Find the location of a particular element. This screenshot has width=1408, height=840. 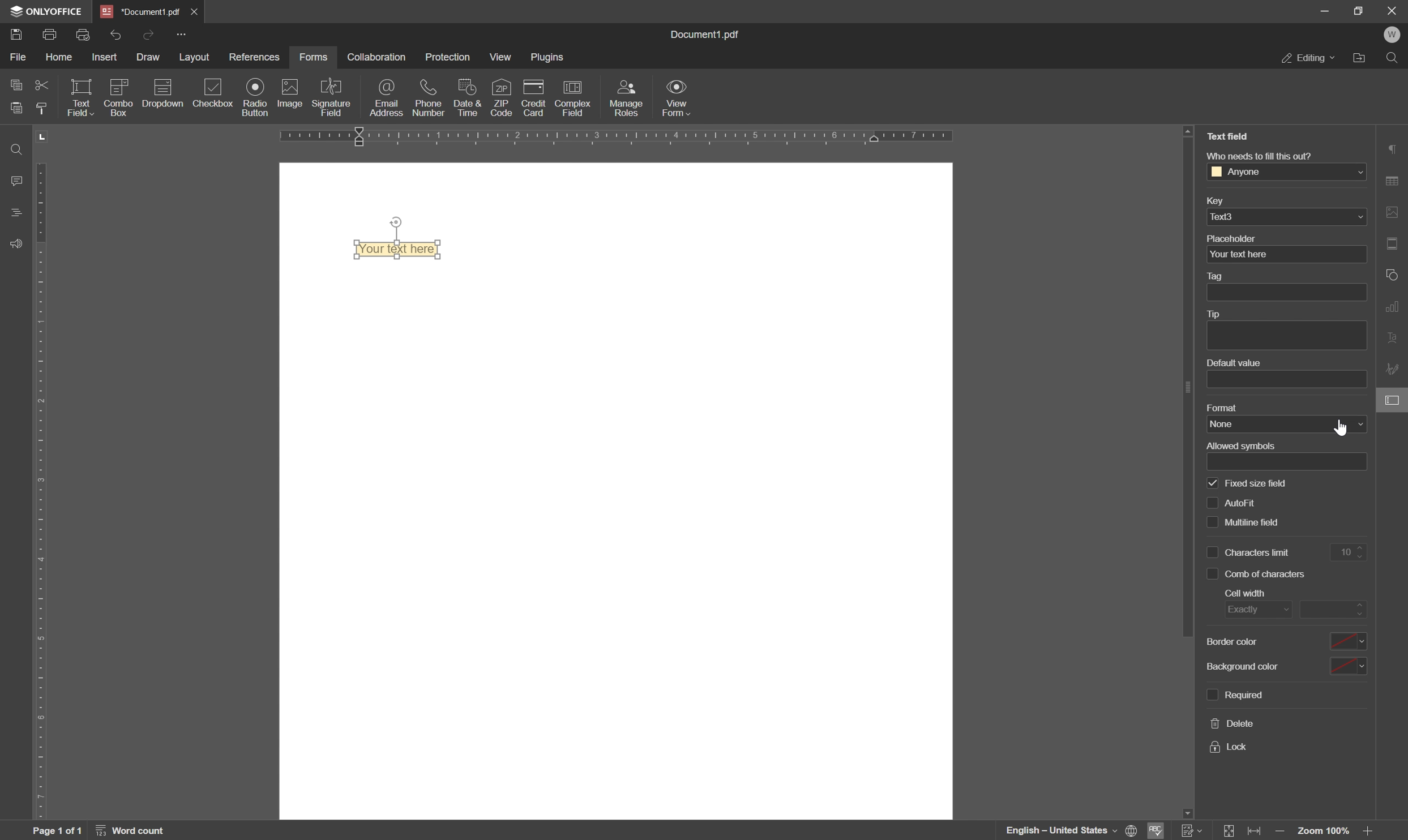

credit card is located at coordinates (534, 98).